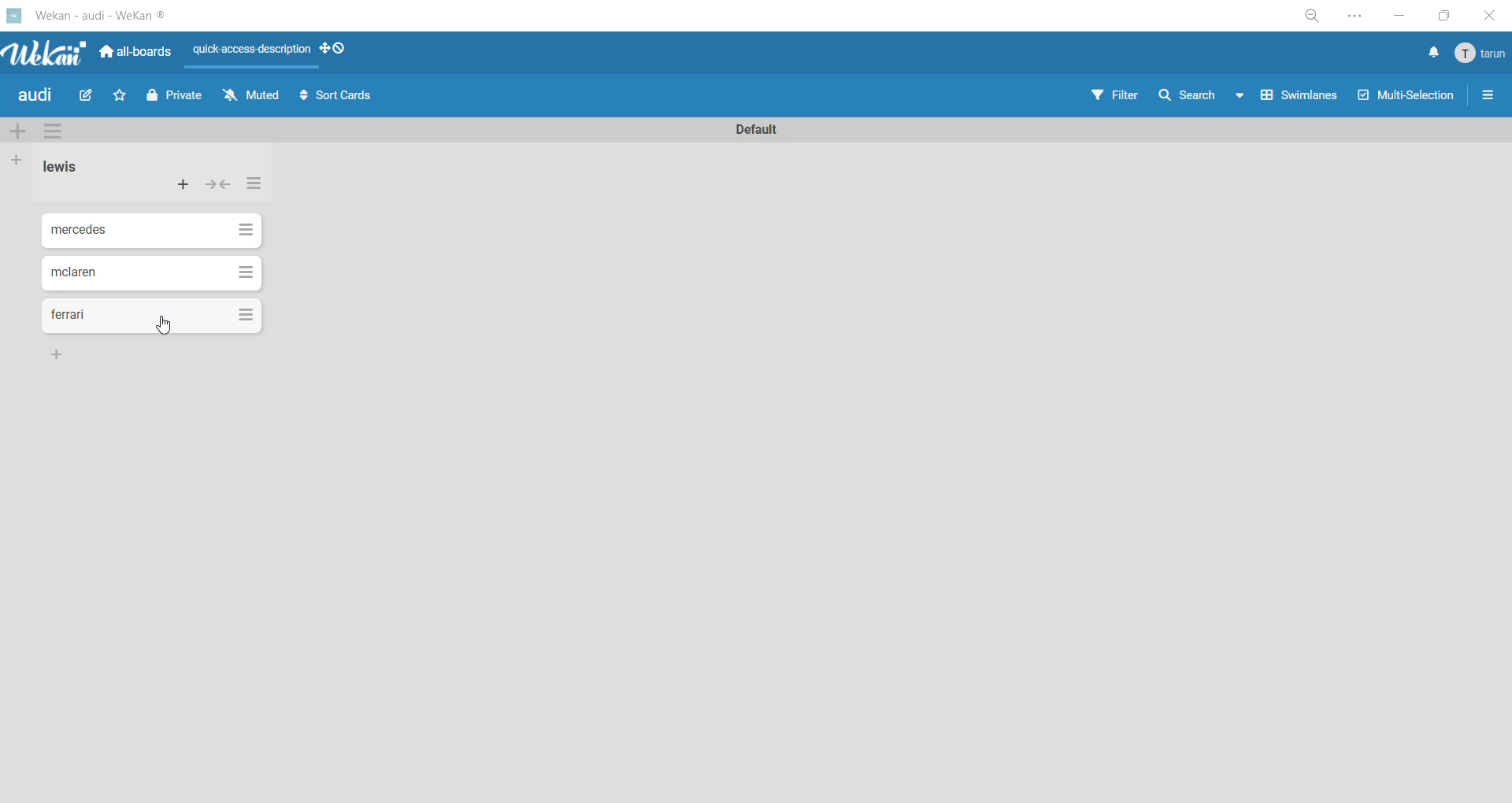 This screenshot has width=1512, height=803. I want to click on add list, so click(21, 160).